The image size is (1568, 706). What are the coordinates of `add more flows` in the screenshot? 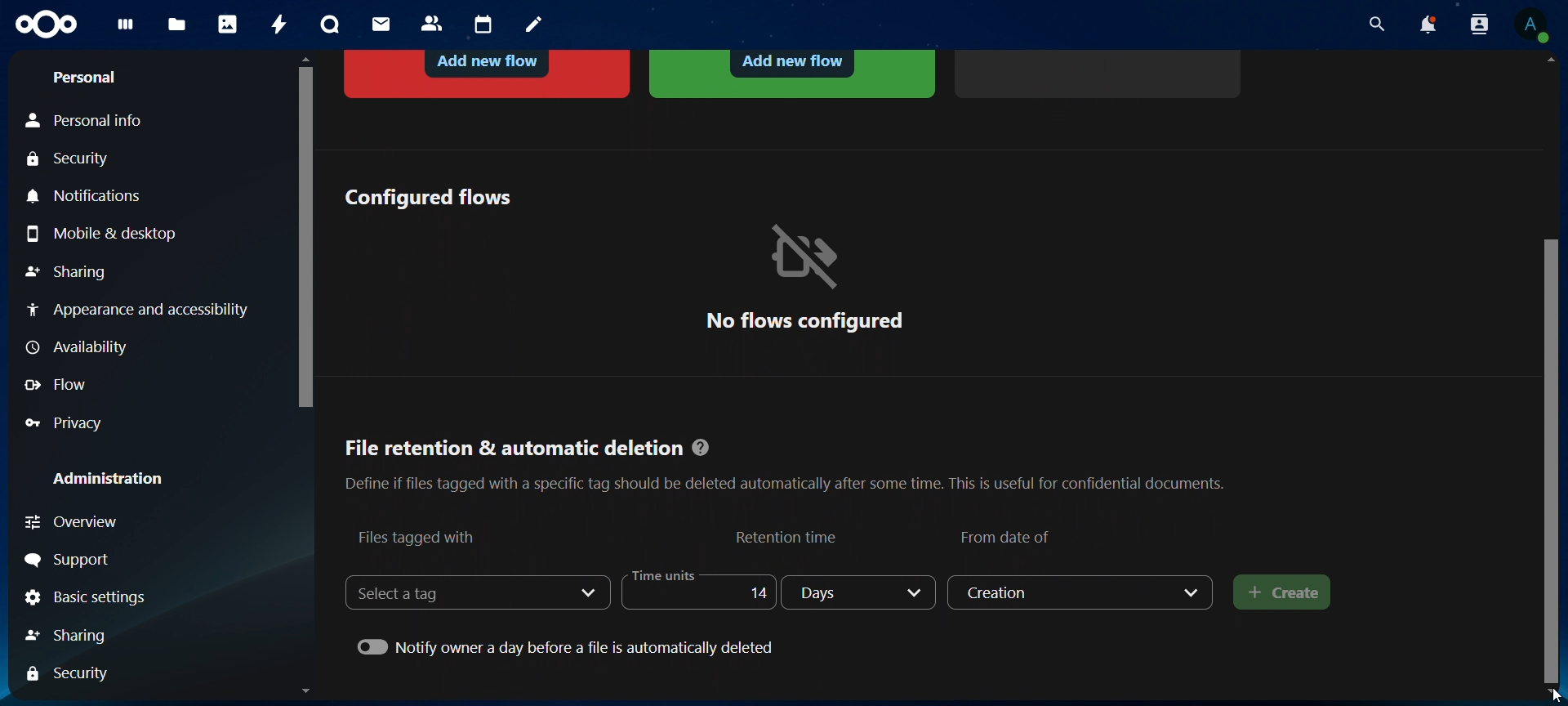 It's located at (1101, 72).